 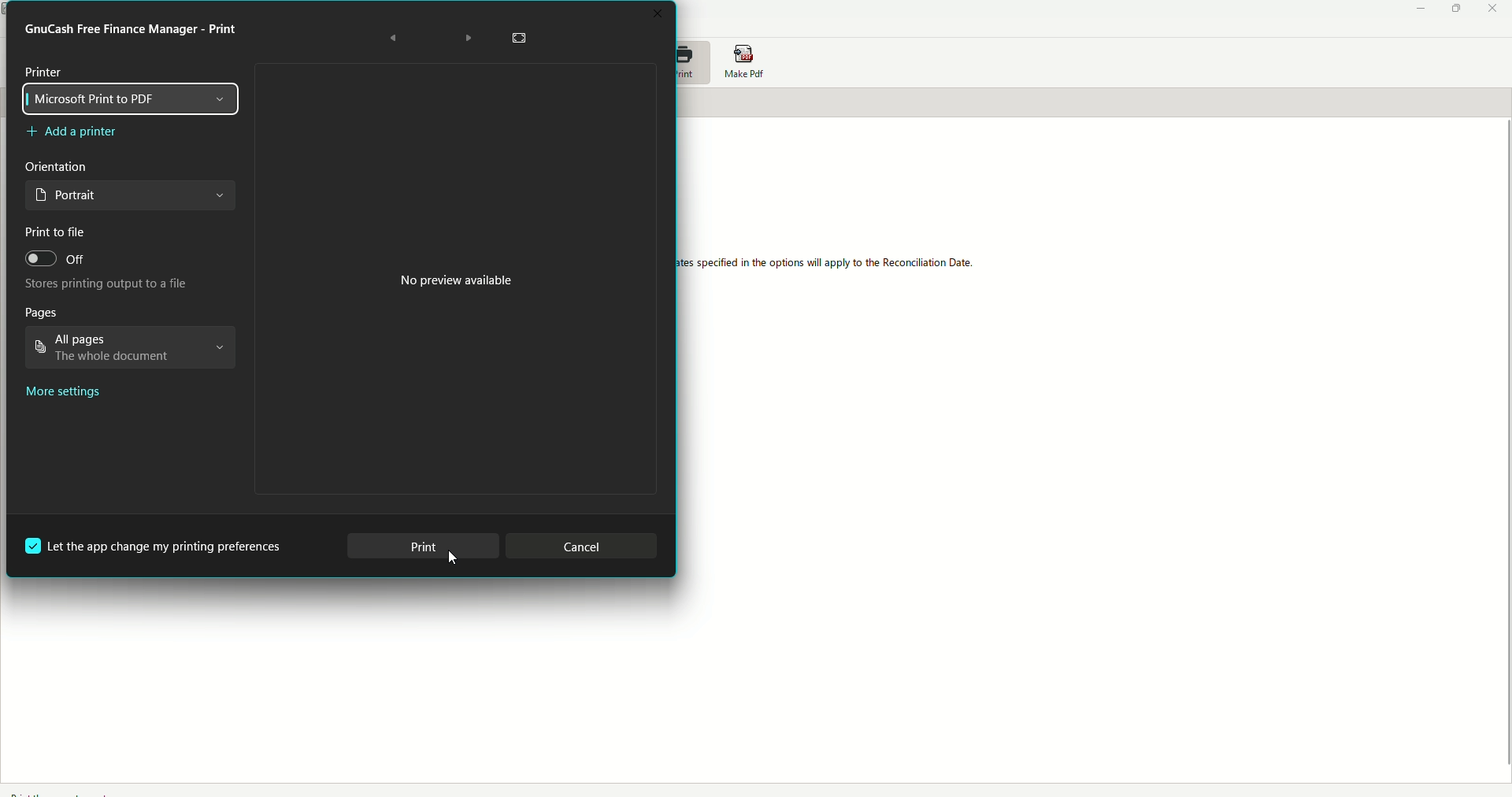 I want to click on Stores printing output to a file, so click(x=102, y=286).